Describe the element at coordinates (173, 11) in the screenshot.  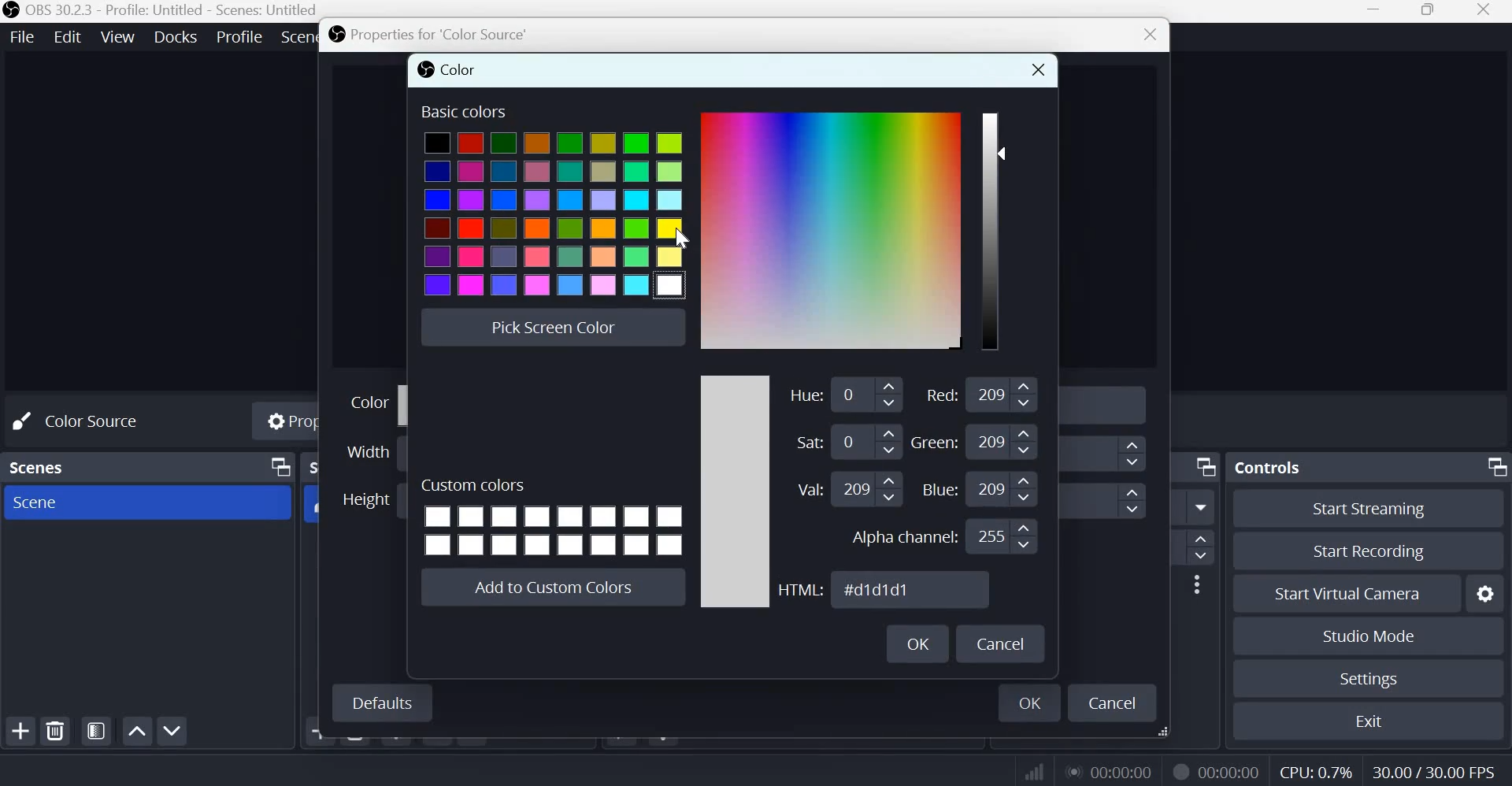
I see `OBS 30.2.3 - Profile: Untitled - Scenes: Untitled` at that location.